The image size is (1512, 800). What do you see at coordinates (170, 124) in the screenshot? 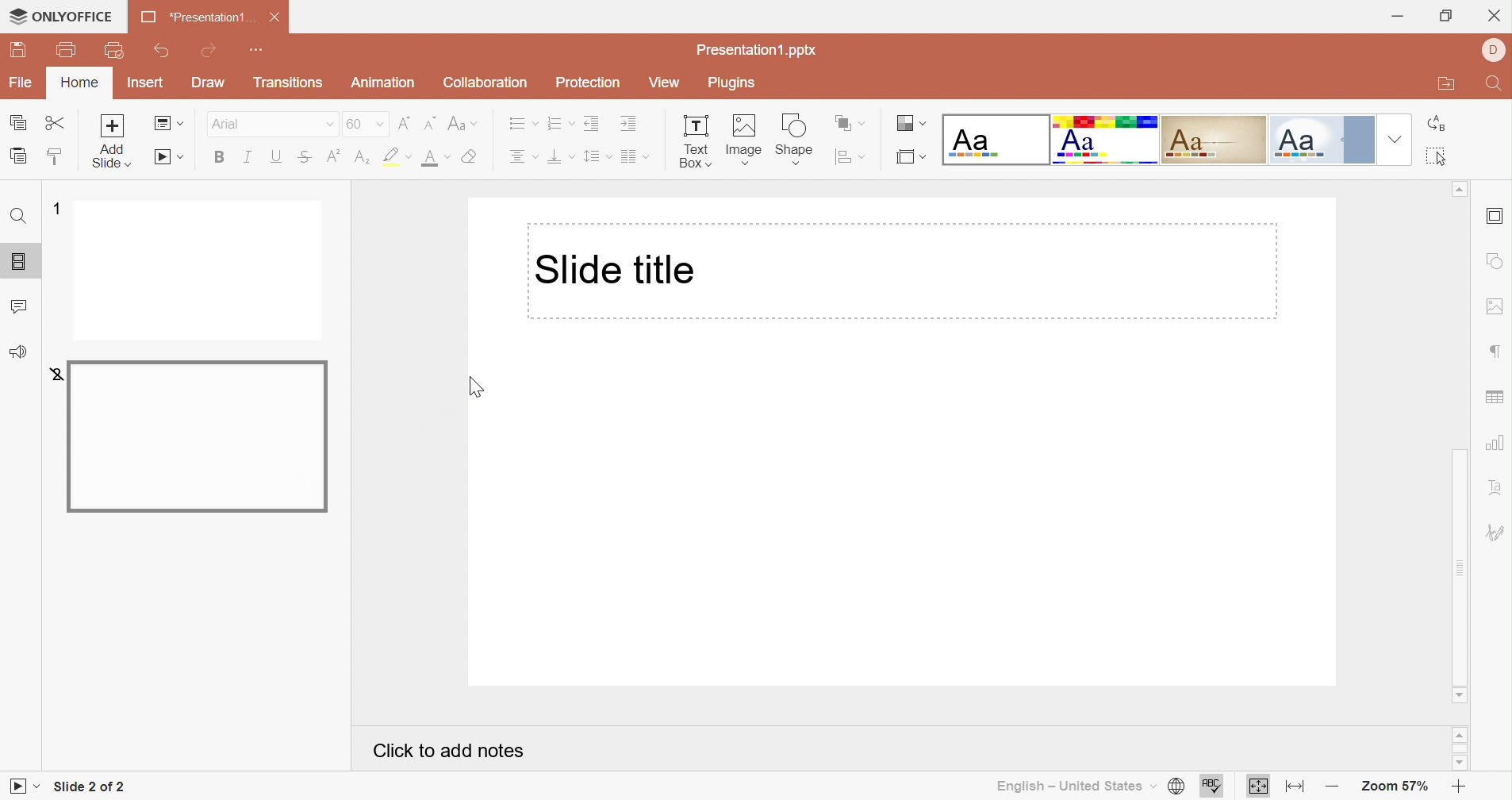
I see `Change slide layout` at bounding box center [170, 124].